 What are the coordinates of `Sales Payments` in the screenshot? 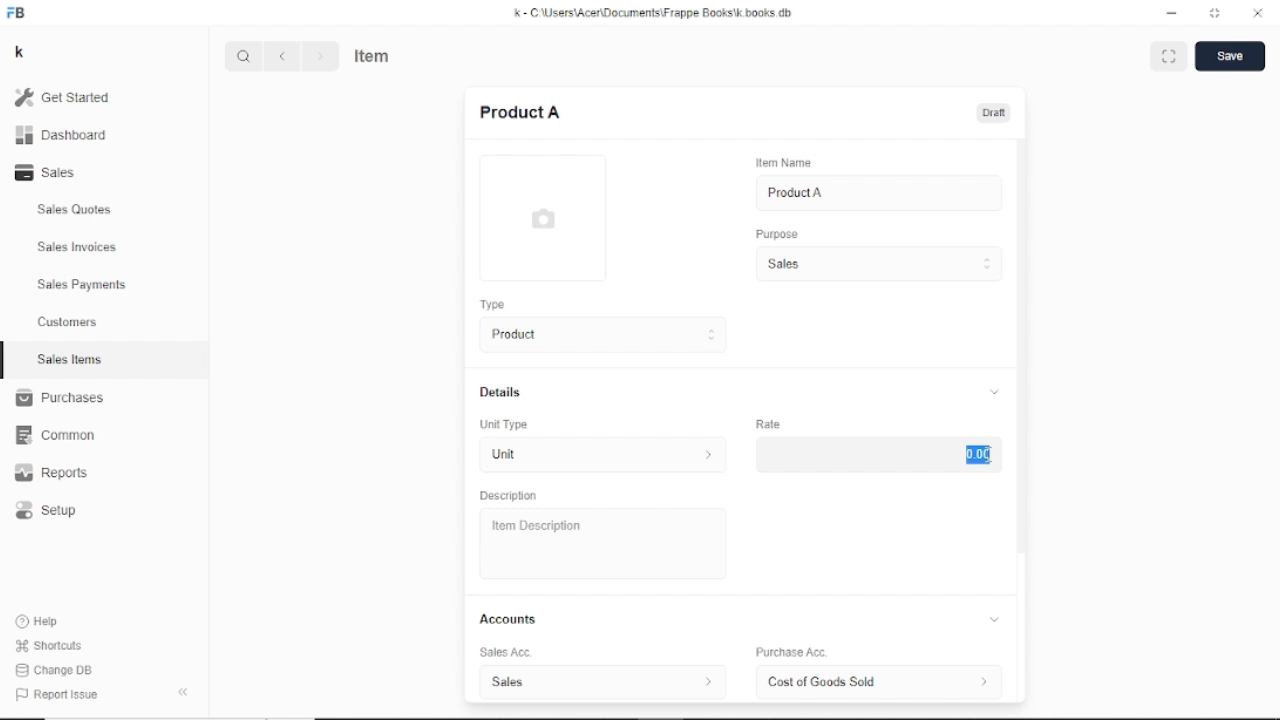 It's located at (83, 284).